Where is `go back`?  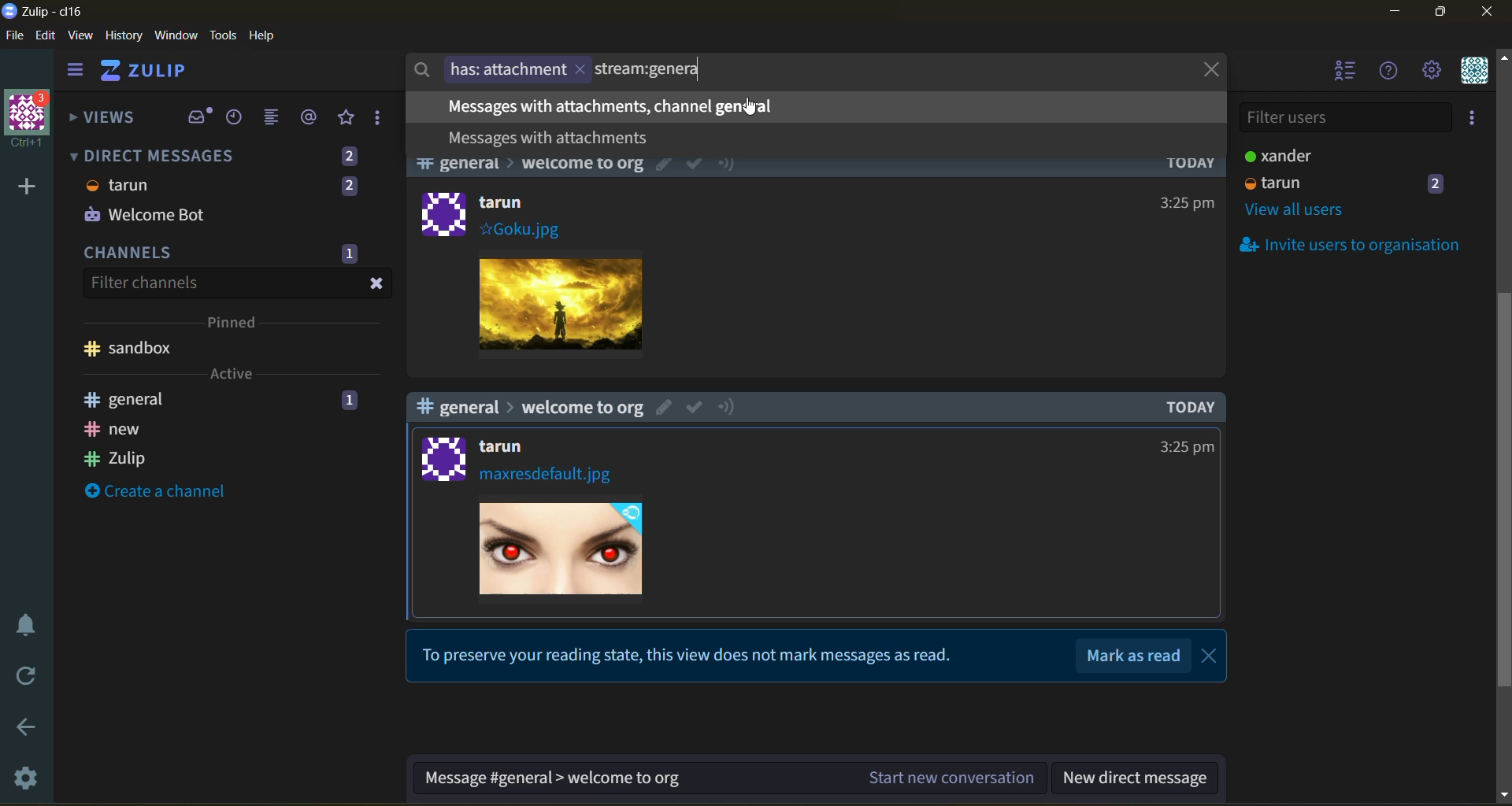
go back is located at coordinates (31, 730).